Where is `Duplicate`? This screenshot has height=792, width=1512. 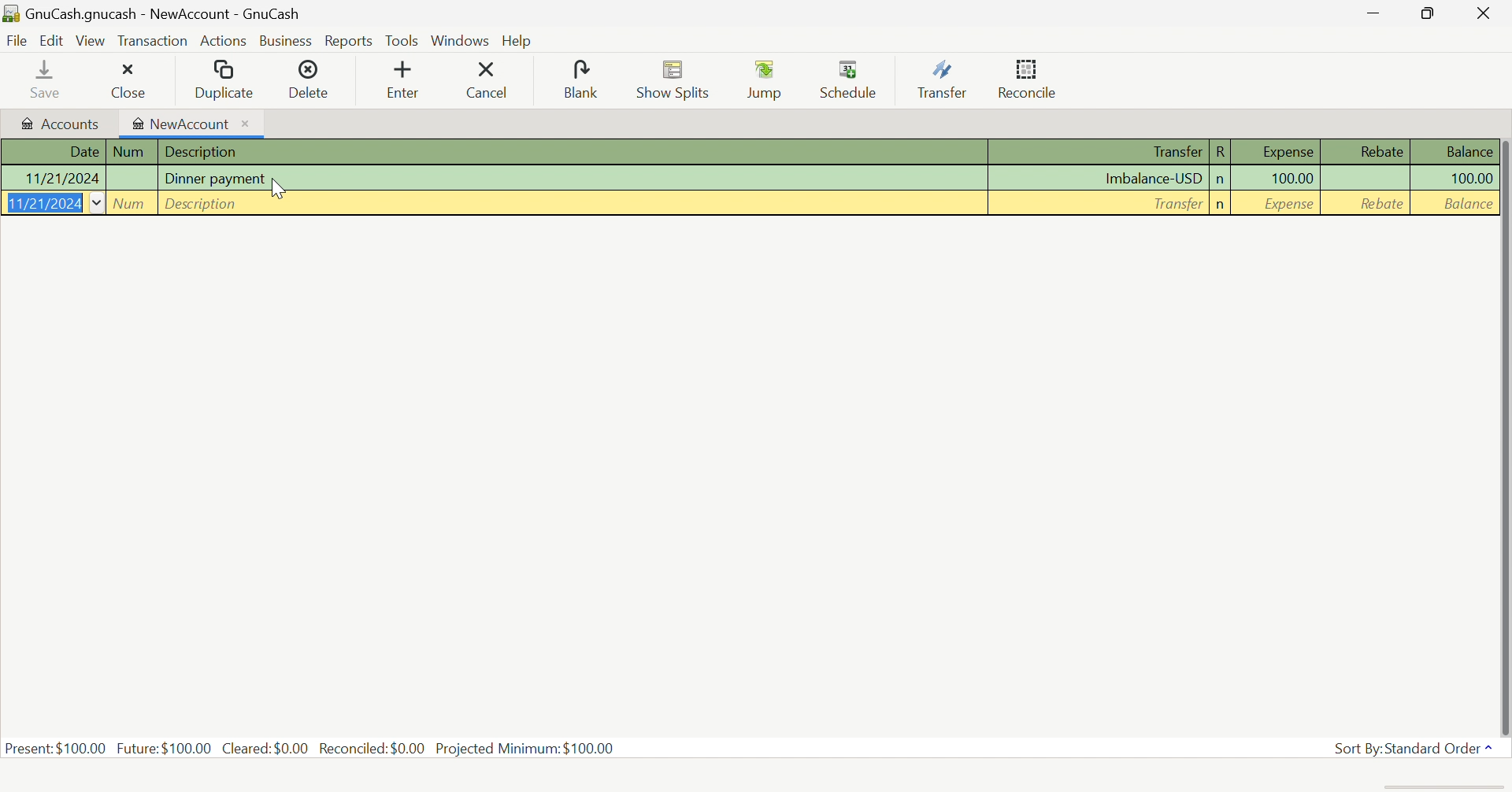
Duplicate is located at coordinates (224, 81).